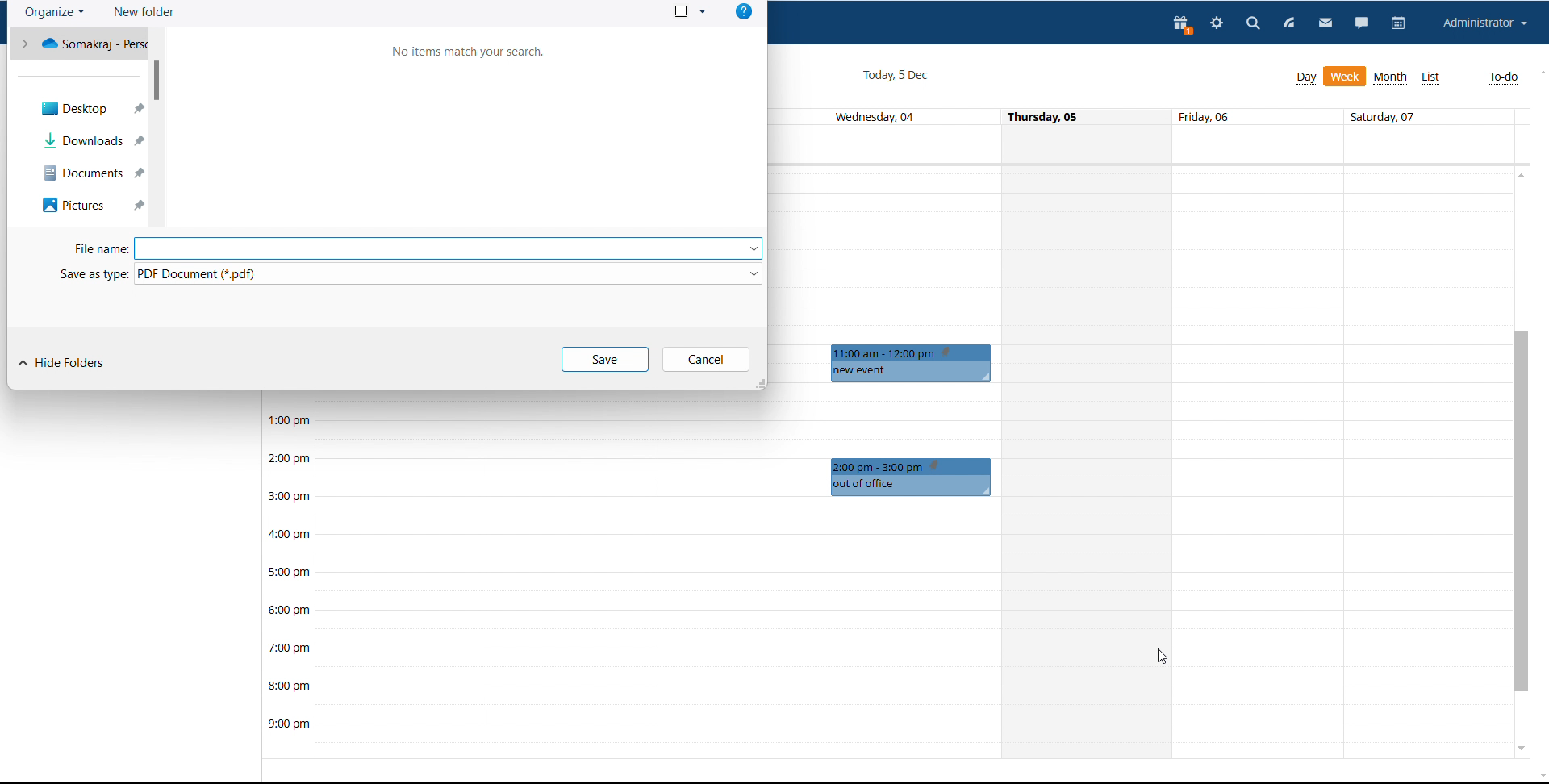 This screenshot has width=1549, height=784. Describe the element at coordinates (1346, 318) in the screenshot. I see `30 min span` at that location.